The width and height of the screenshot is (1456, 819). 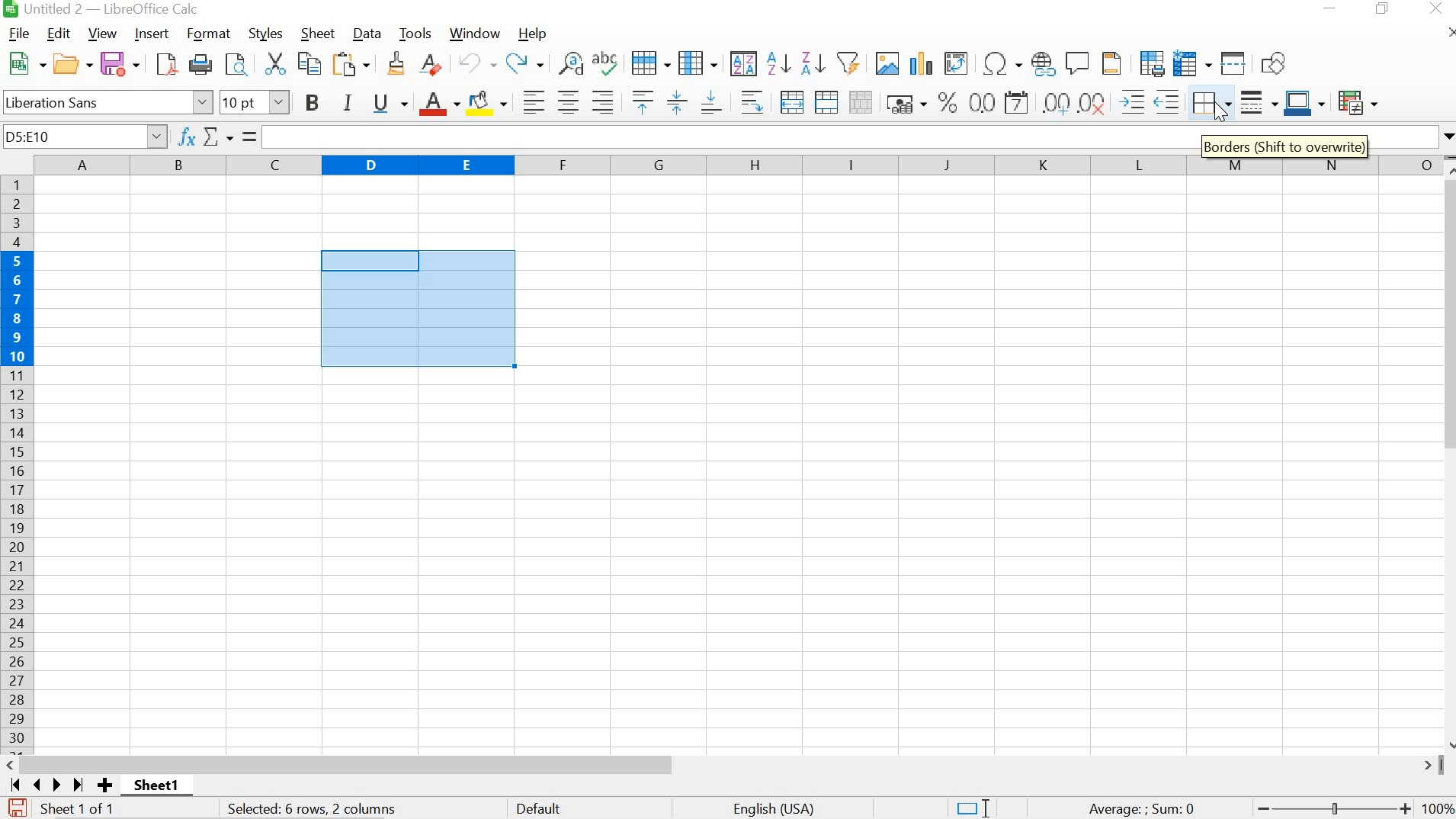 I want to click on DEFAULT, so click(x=542, y=810).